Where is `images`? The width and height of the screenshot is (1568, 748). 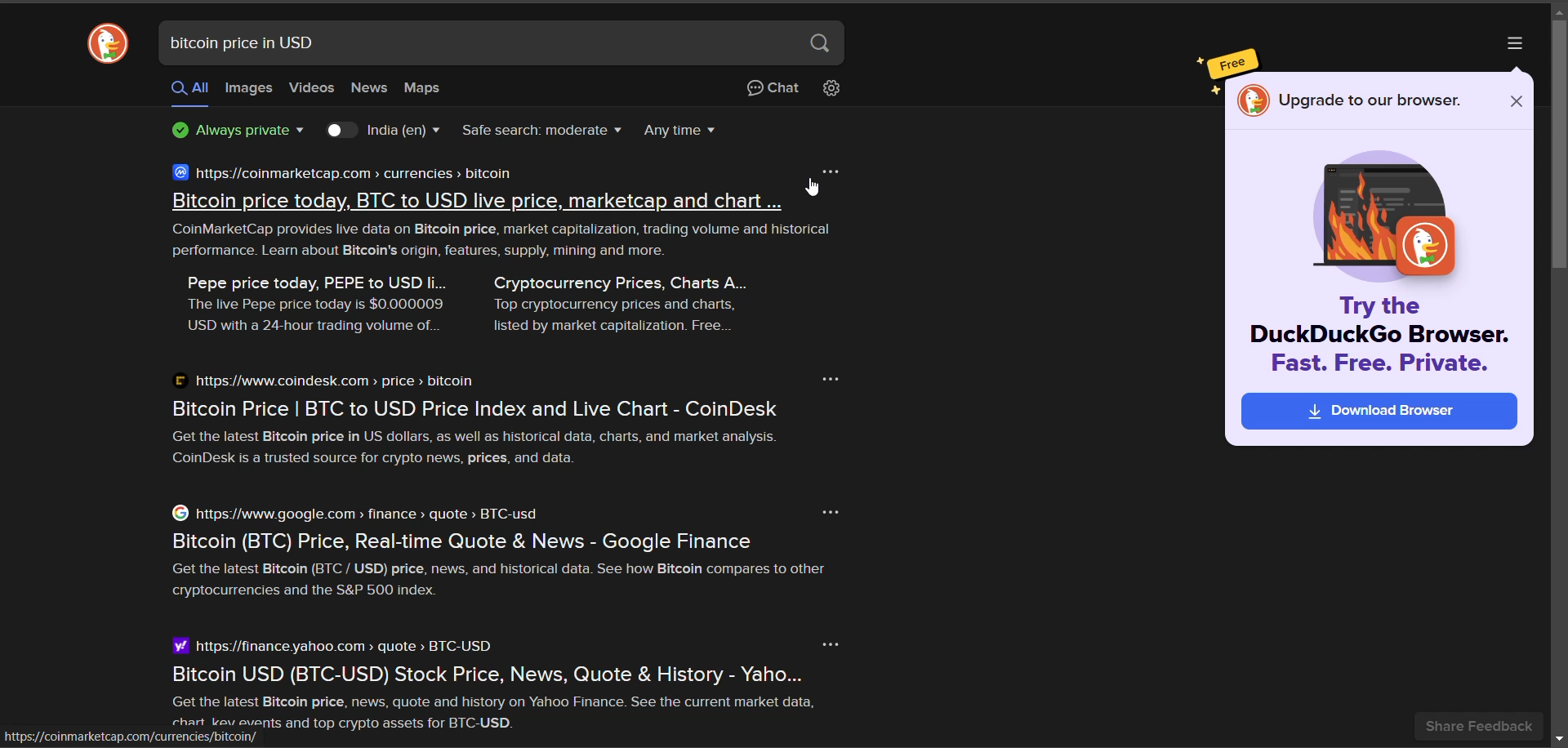 images is located at coordinates (249, 91).